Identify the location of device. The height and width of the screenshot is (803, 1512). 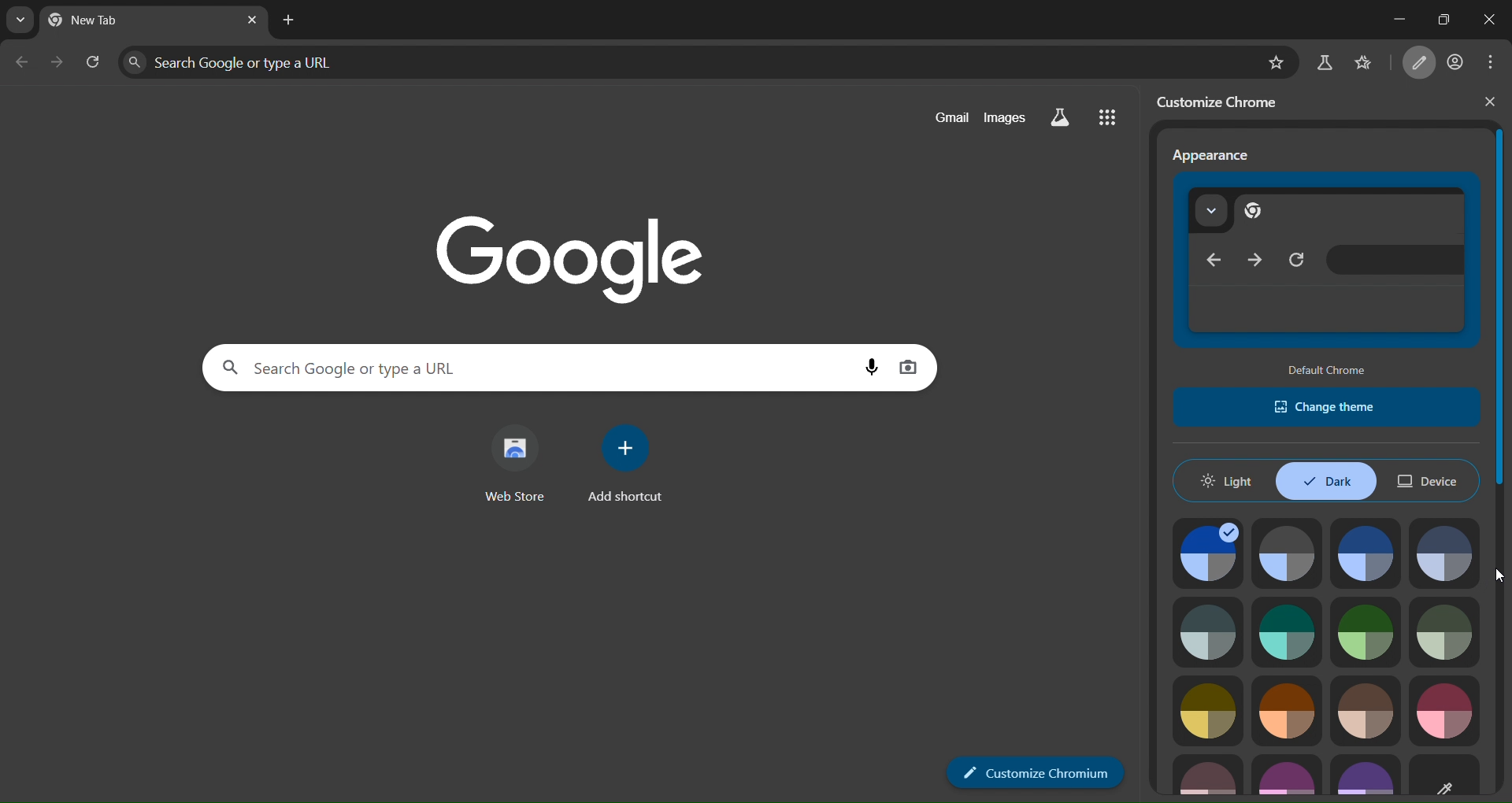
(1432, 481).